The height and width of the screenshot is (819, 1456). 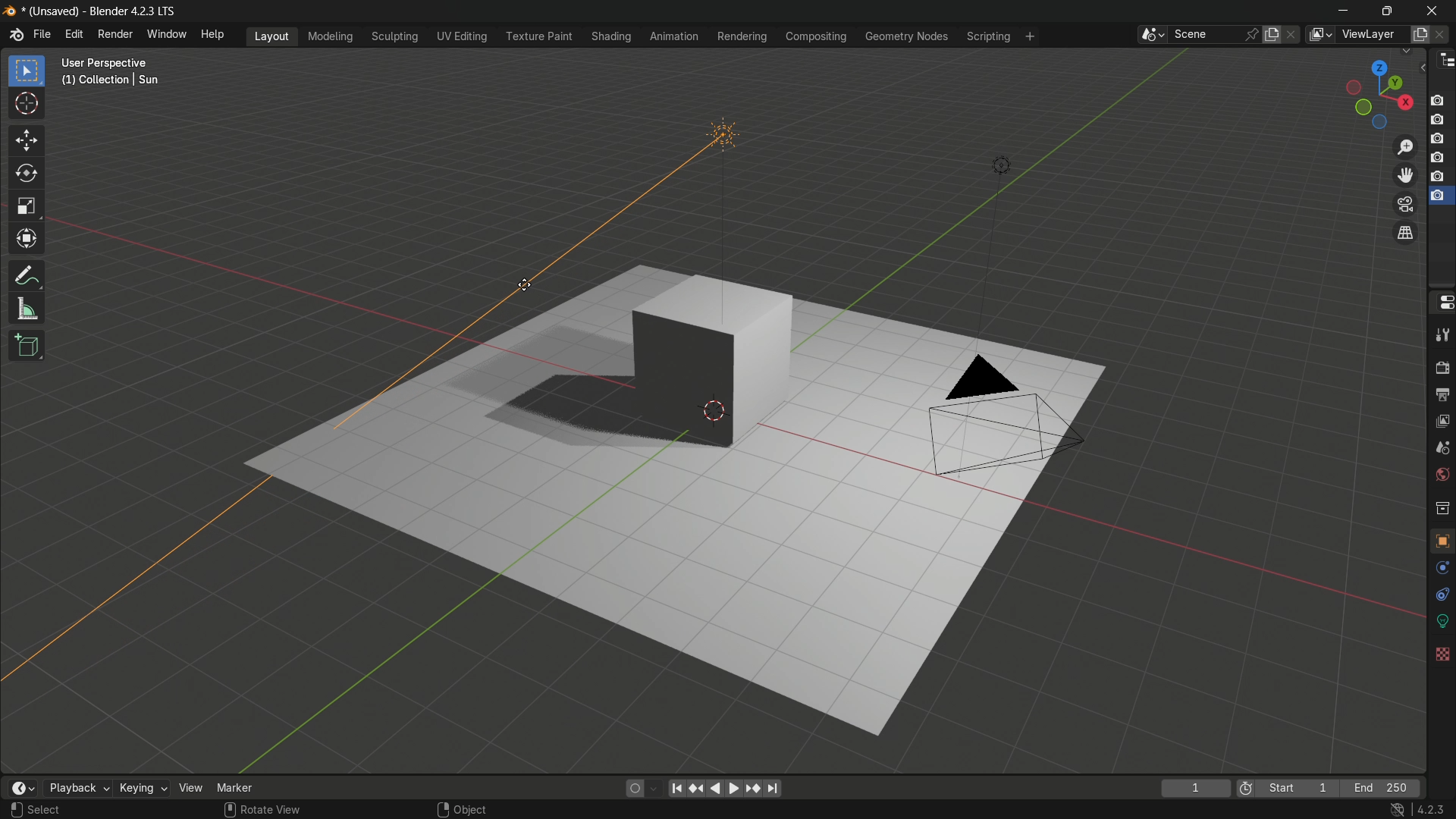 I want to click on animation, so click(x=673, y=36).